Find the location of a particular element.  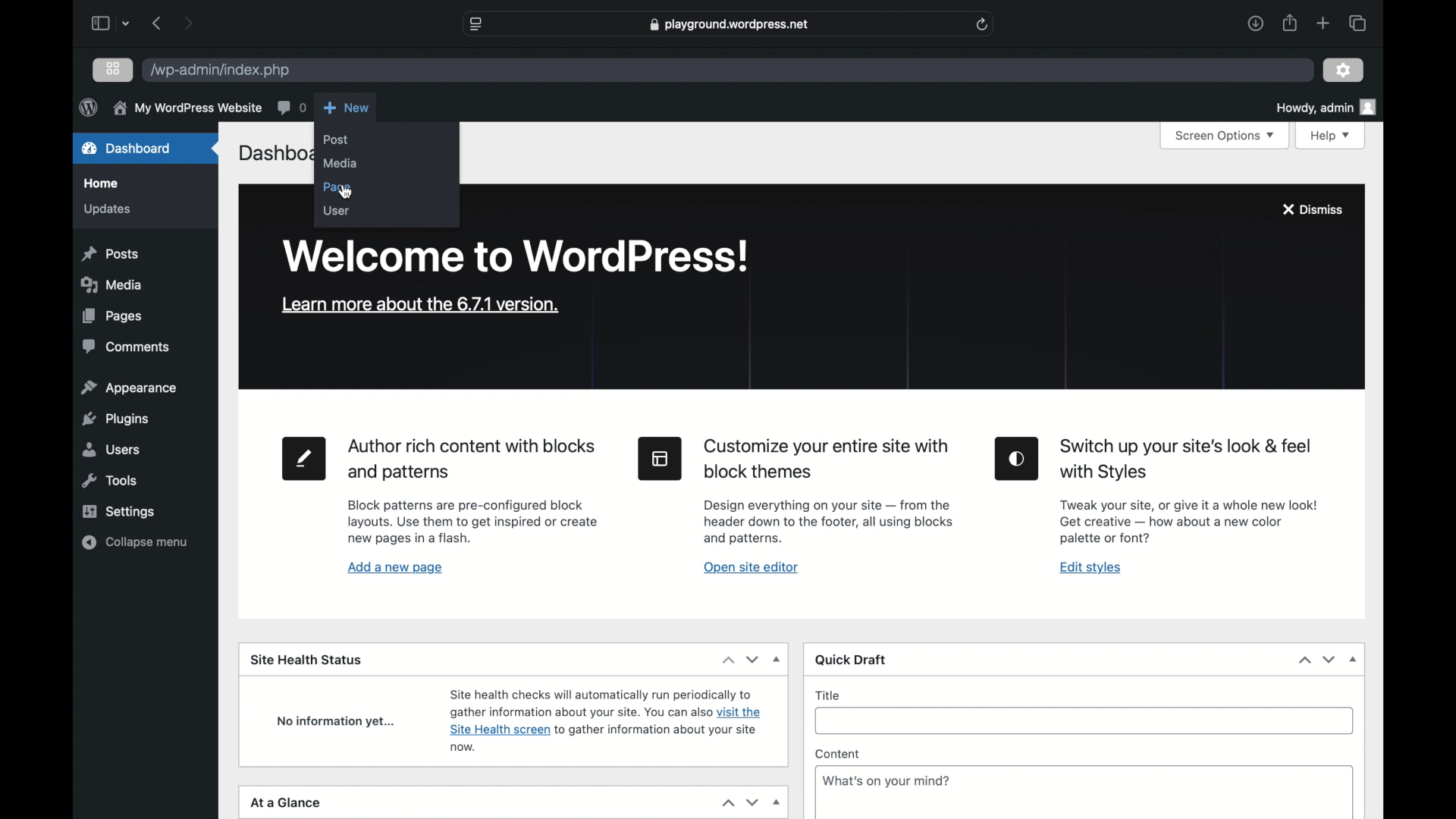

open site editor is located at coordinates (750, 569).